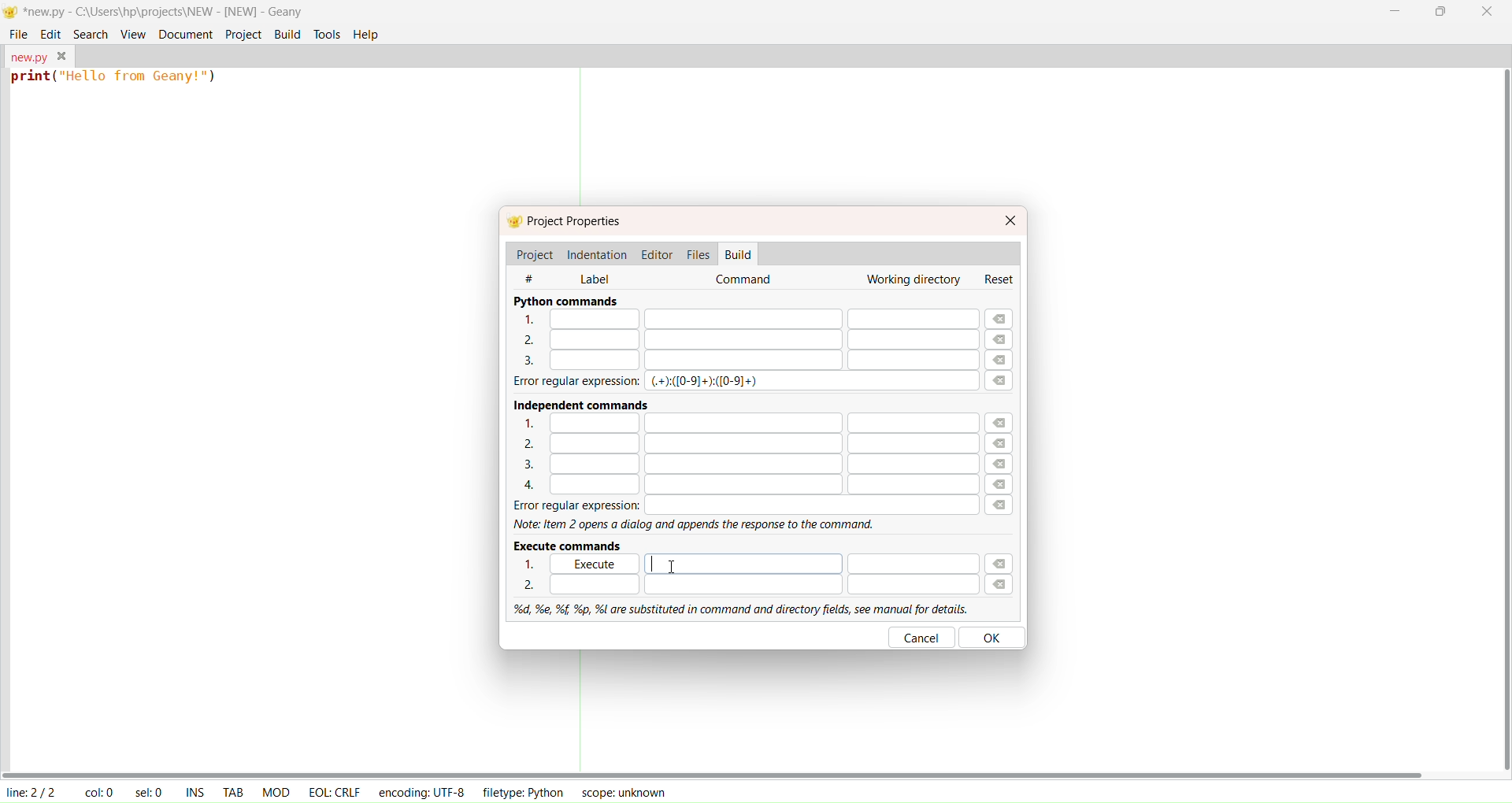 The image size is (1512, 803). Describe the element at coordinates (739, 254) in the screenshot. I see `build` at that location.